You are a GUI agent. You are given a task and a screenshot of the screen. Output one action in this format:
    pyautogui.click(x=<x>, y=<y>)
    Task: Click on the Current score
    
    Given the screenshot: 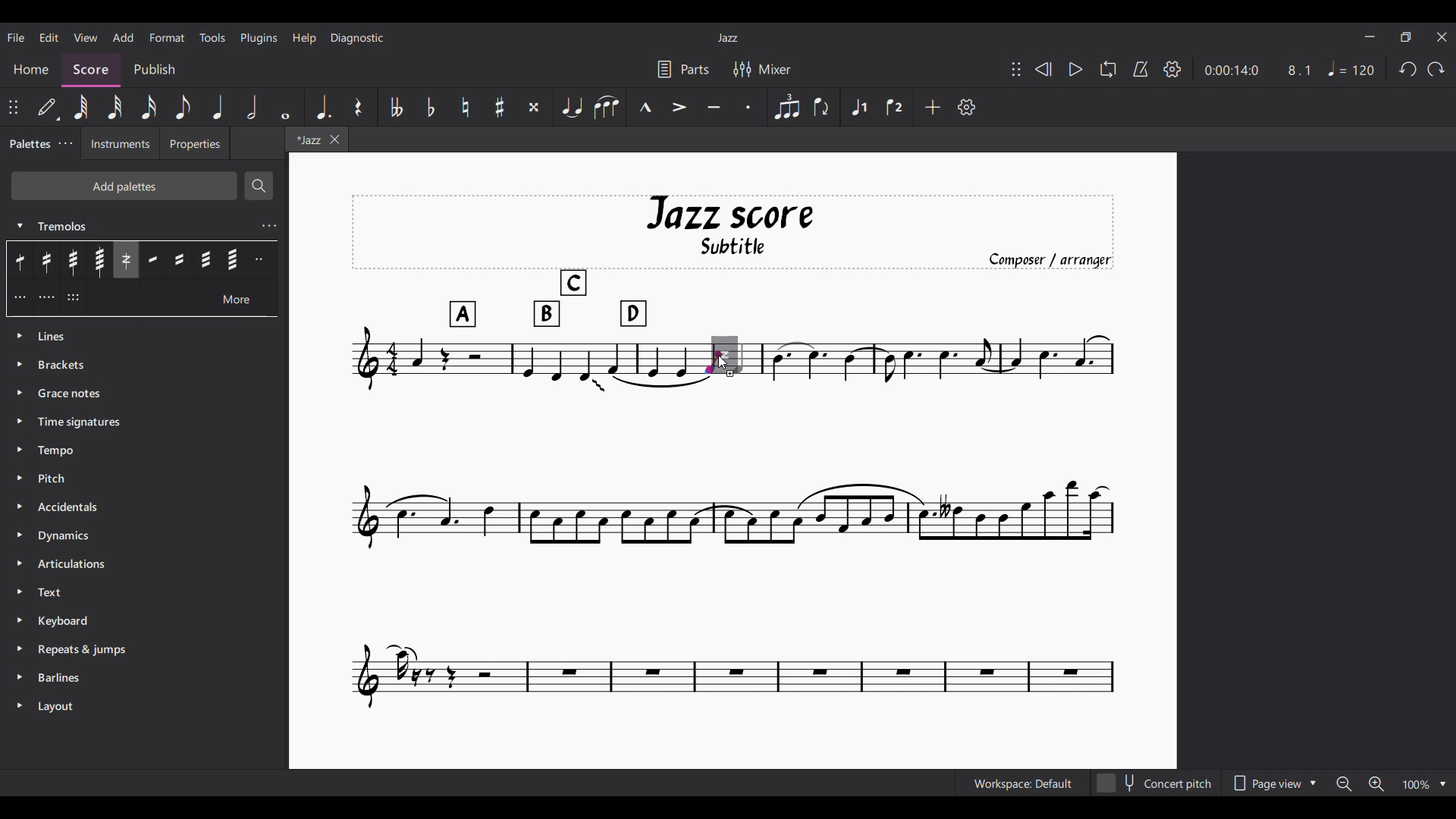 What is the action you would take?
    pyautogui.click(x=733, y=265)
    